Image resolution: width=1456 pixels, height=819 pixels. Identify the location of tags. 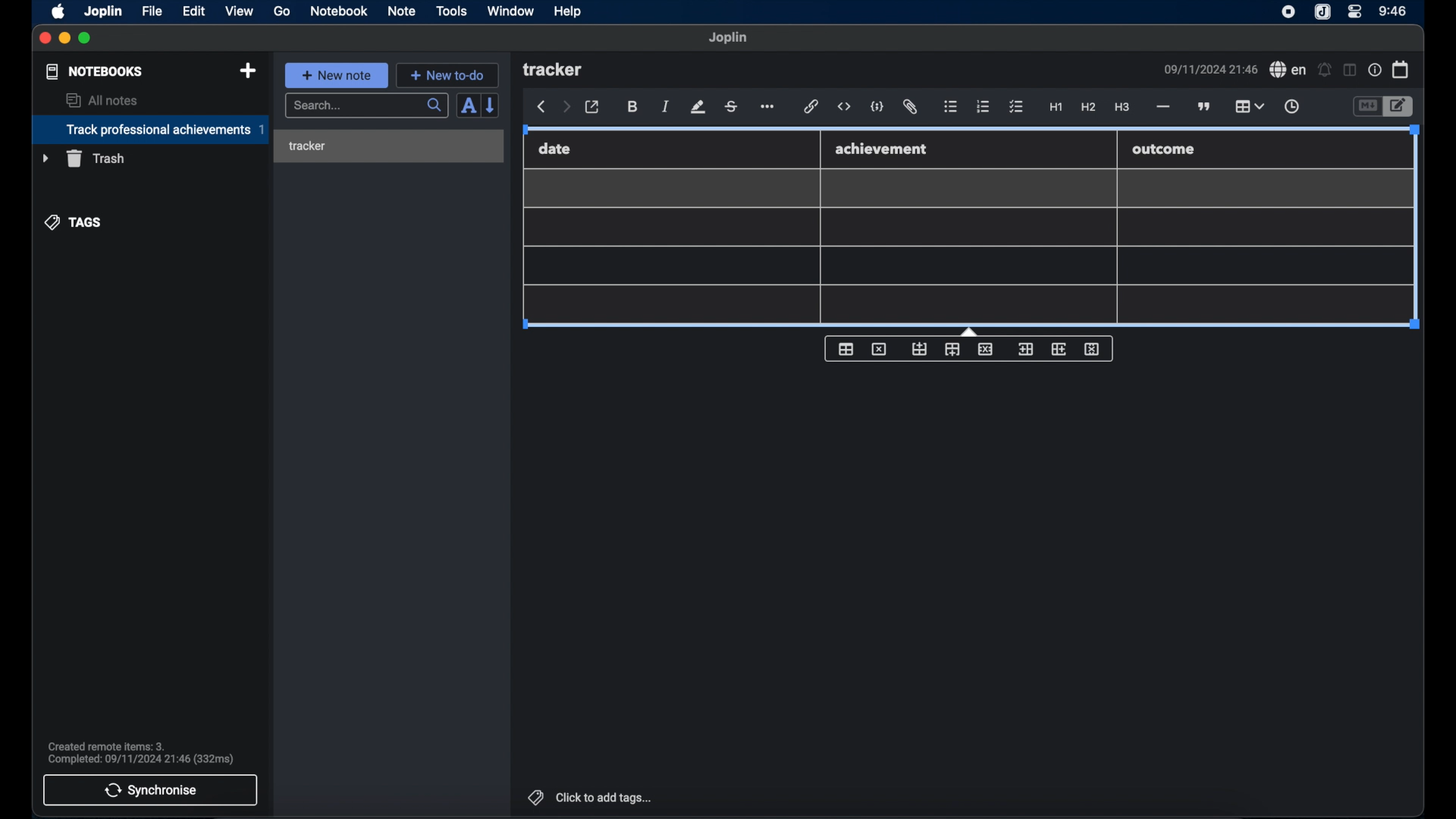
(74, 221).